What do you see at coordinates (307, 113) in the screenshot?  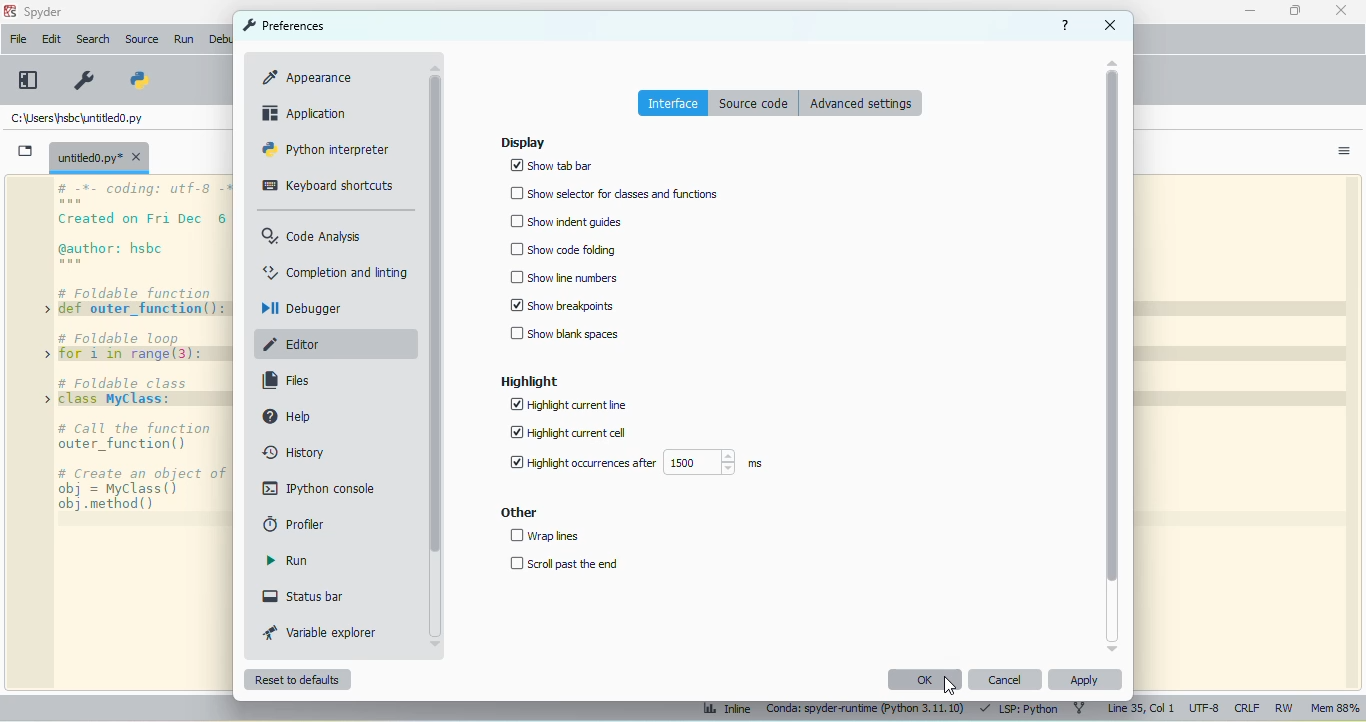 I see `application` at bounding box center [307, 113].